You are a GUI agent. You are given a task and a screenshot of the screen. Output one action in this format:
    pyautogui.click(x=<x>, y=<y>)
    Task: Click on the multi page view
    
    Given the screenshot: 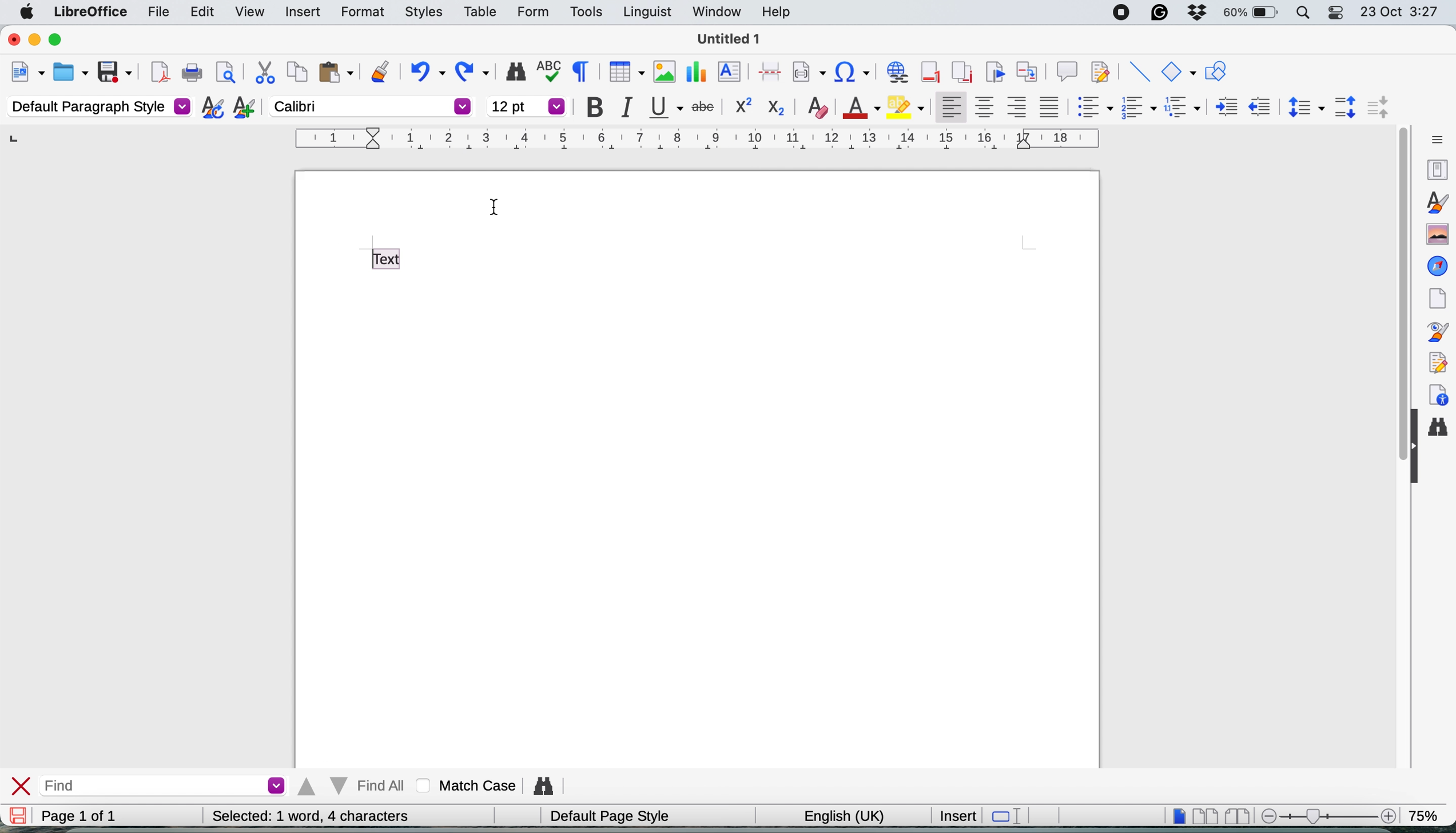 What is the action you would take?
    pyautogui.click(x=1204, y=815)
    